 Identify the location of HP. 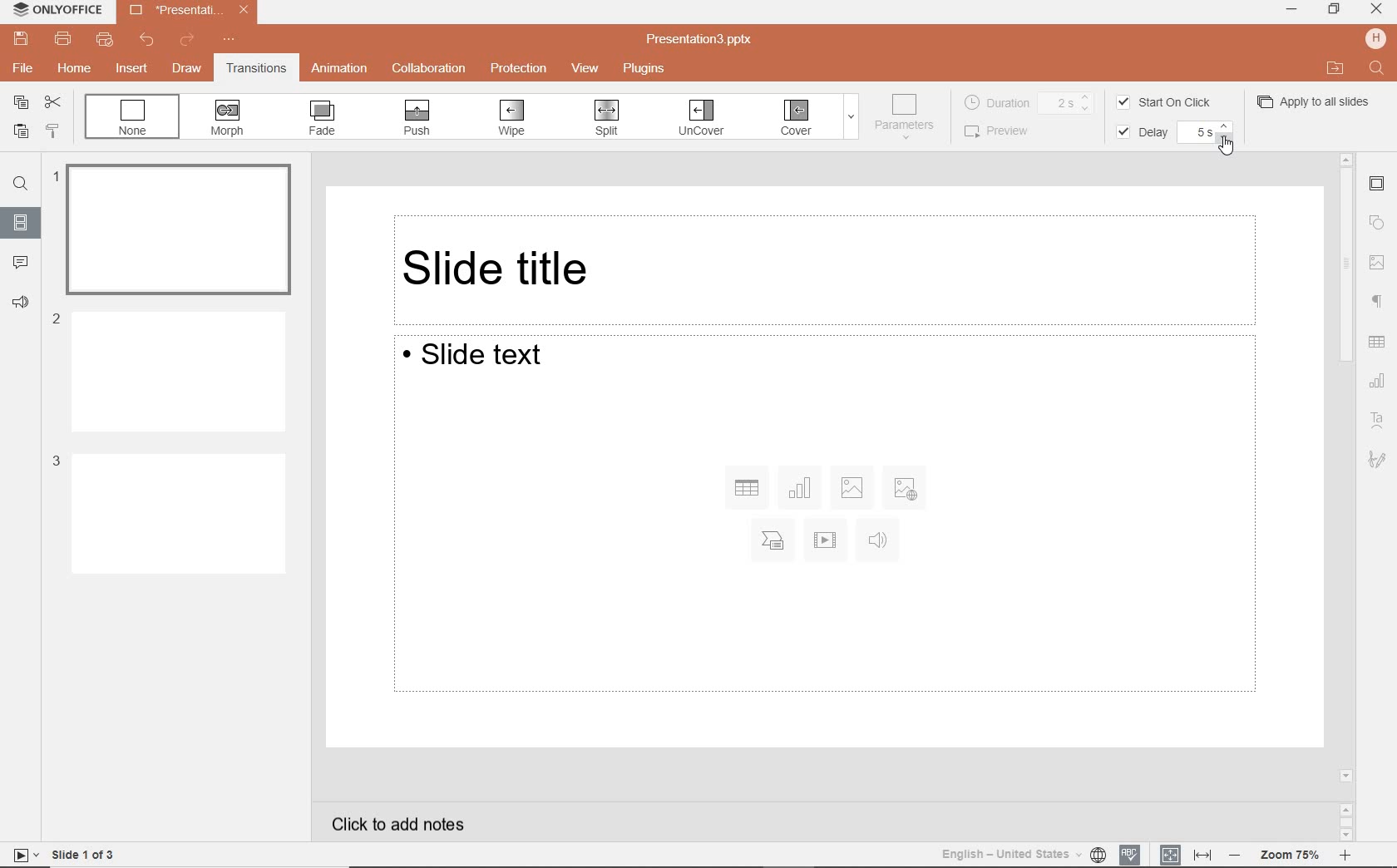
(1374, 39).